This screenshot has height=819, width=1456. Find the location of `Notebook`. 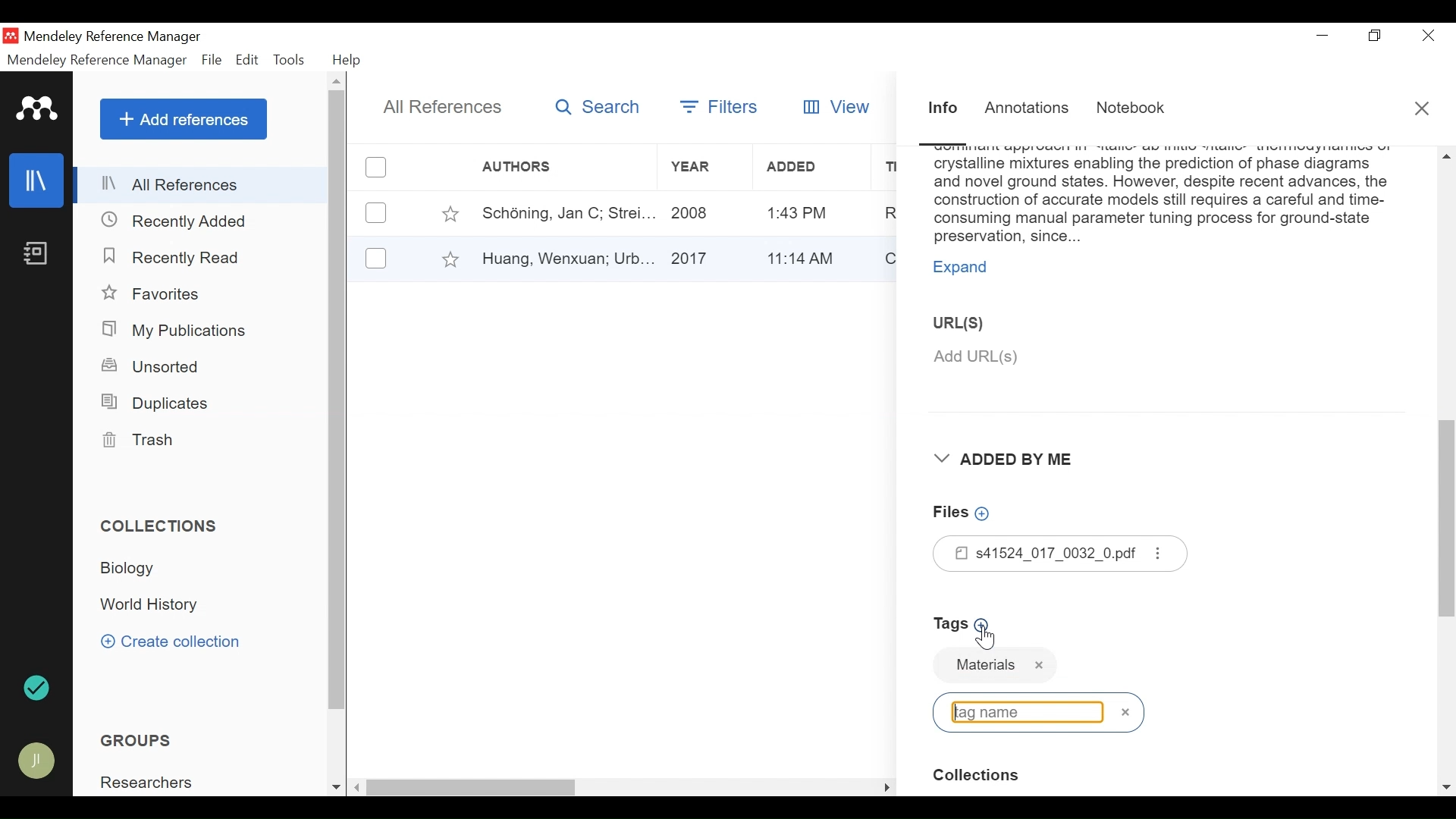

Notebook is located at coordinates (1134, 108).